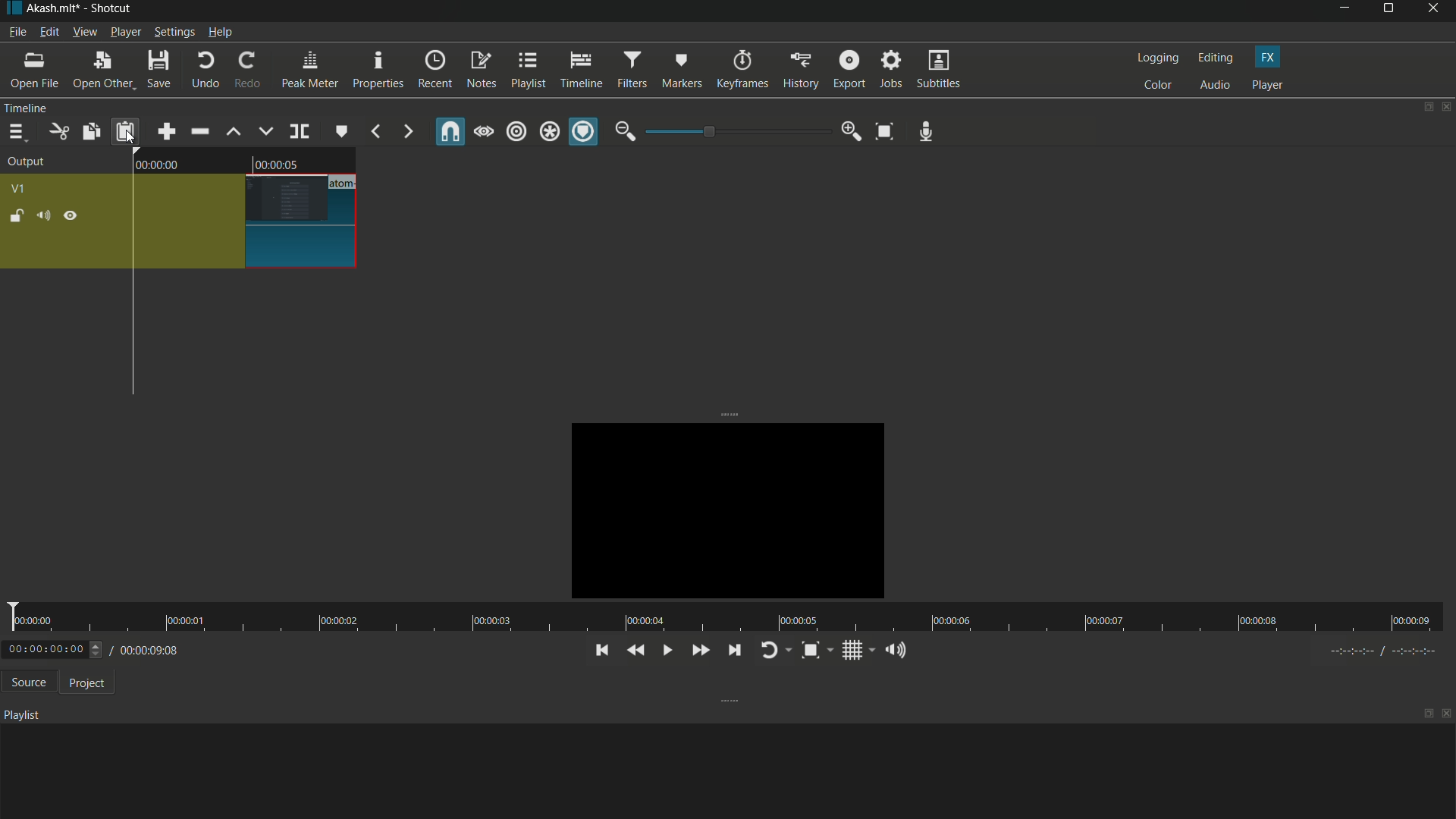  I want to click on timeline, so click(581, 68).